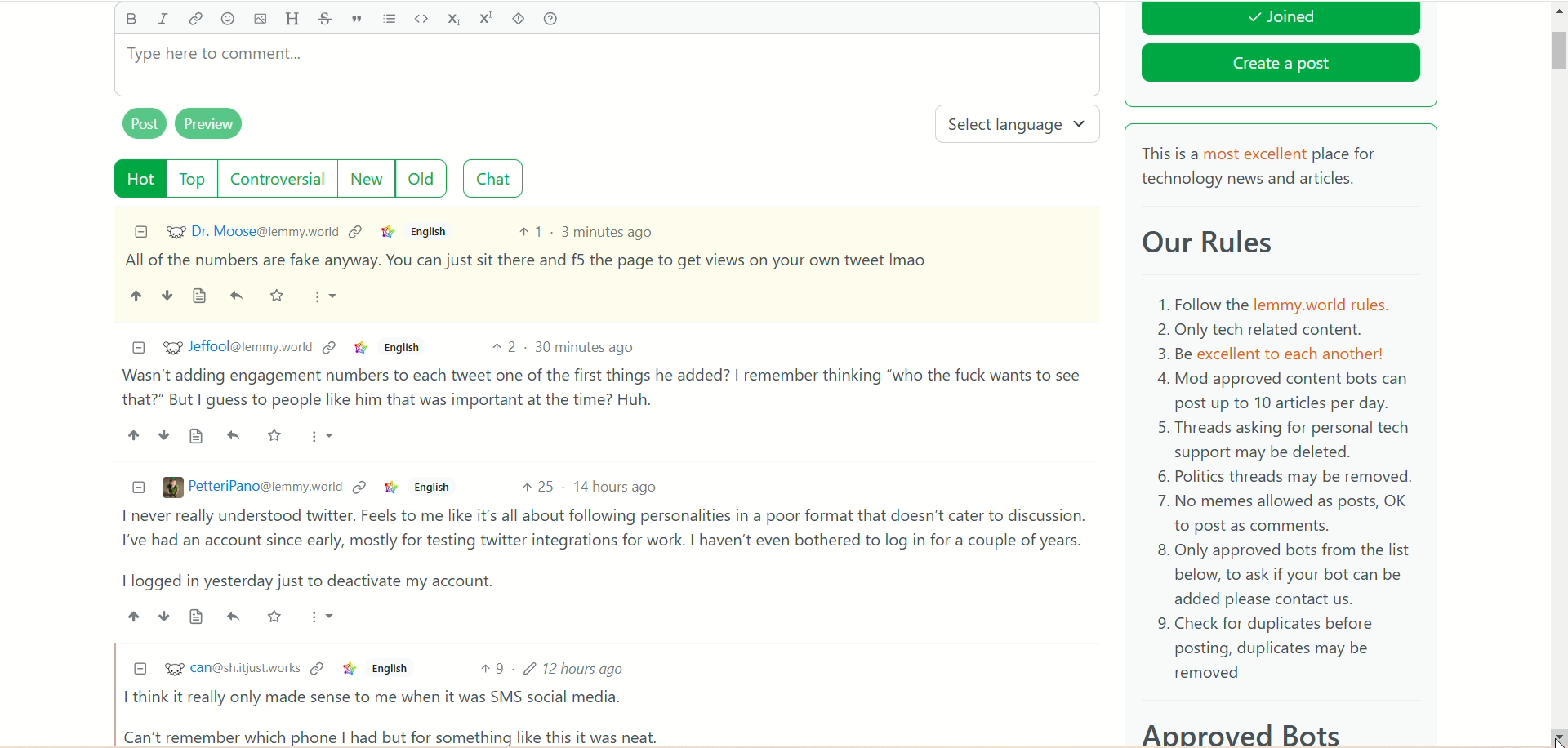 This screenshot has height=748, width=1568. I want to click on Collapse, so click(141, 231).